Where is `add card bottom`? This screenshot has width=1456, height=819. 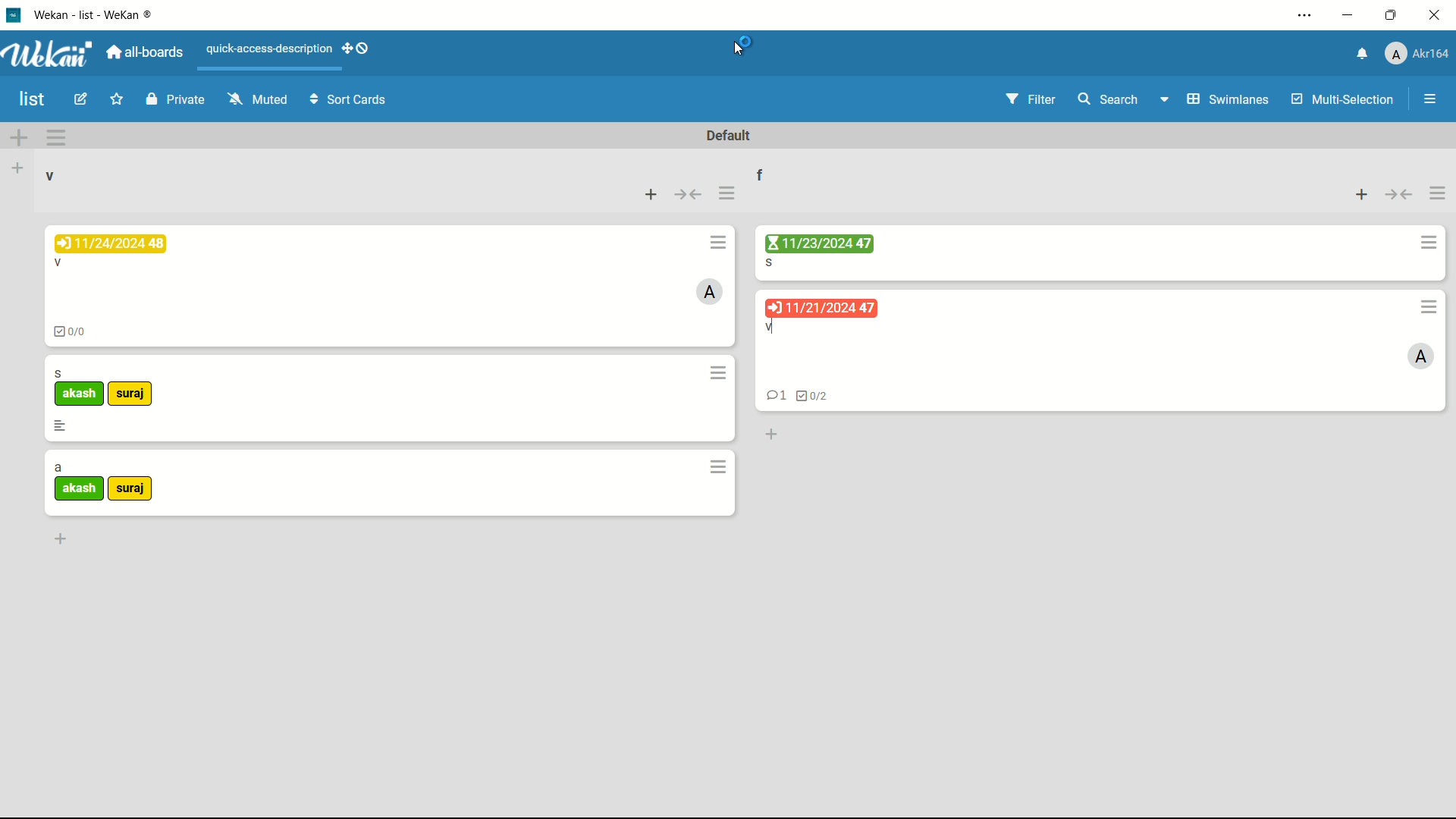
add card bottom is located at coordinates (60, 538).